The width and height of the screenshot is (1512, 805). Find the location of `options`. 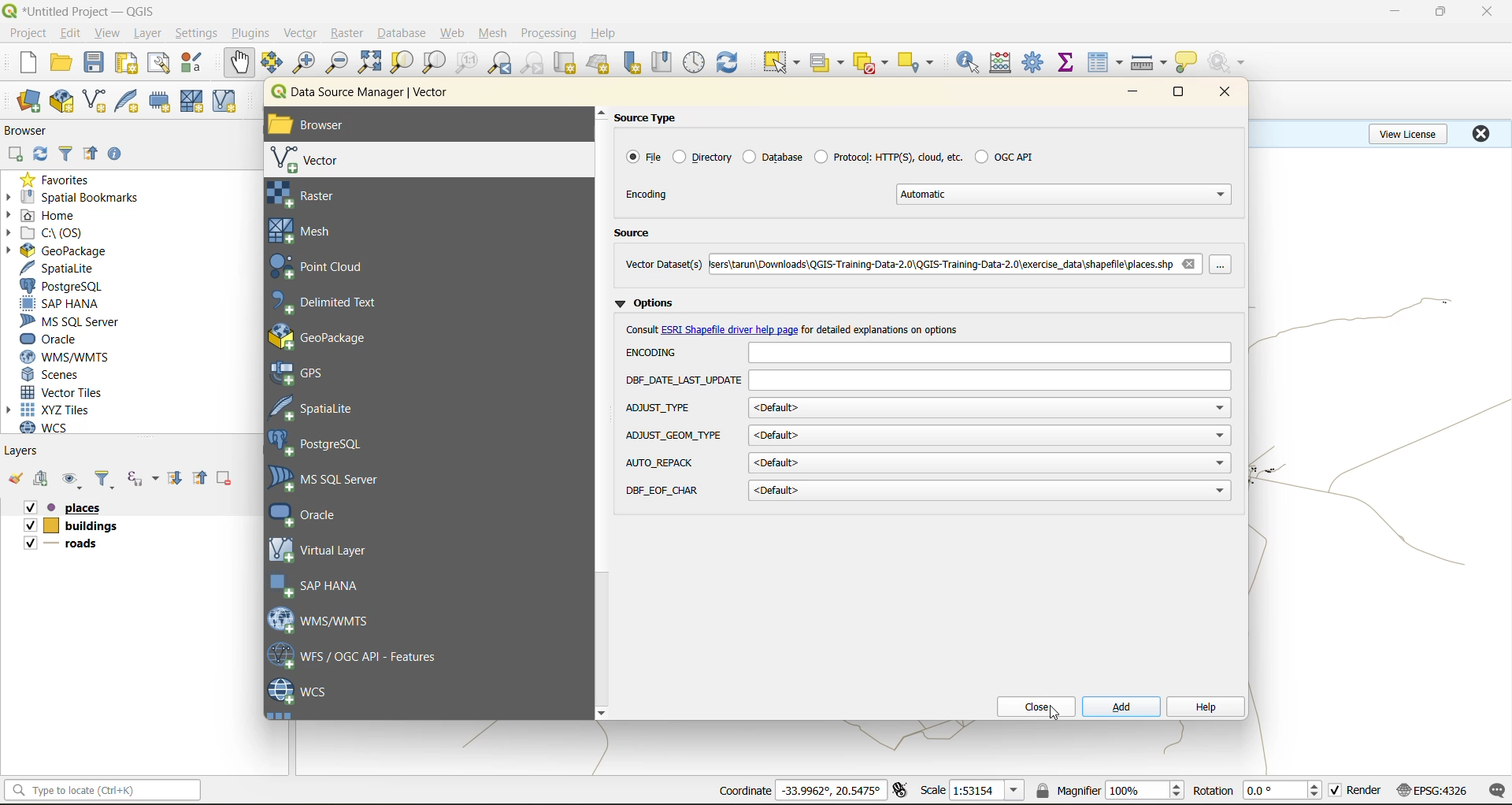

options is located at coordinates (649, 301).